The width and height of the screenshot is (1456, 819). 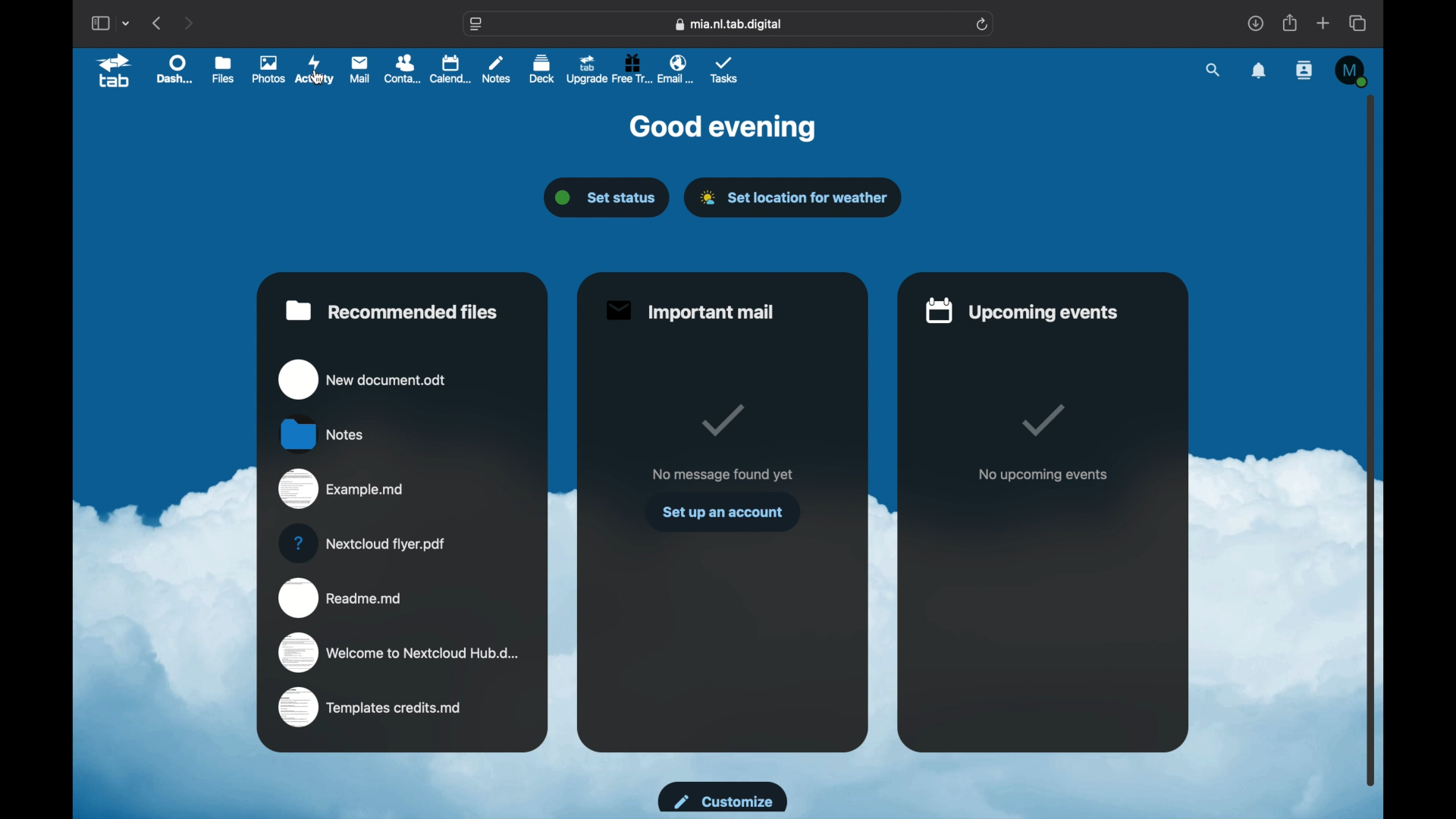 What do you see at coordinates (1359, 23) in the screenshot?
I see `show tab overview` at bounding box center [1359, 23].